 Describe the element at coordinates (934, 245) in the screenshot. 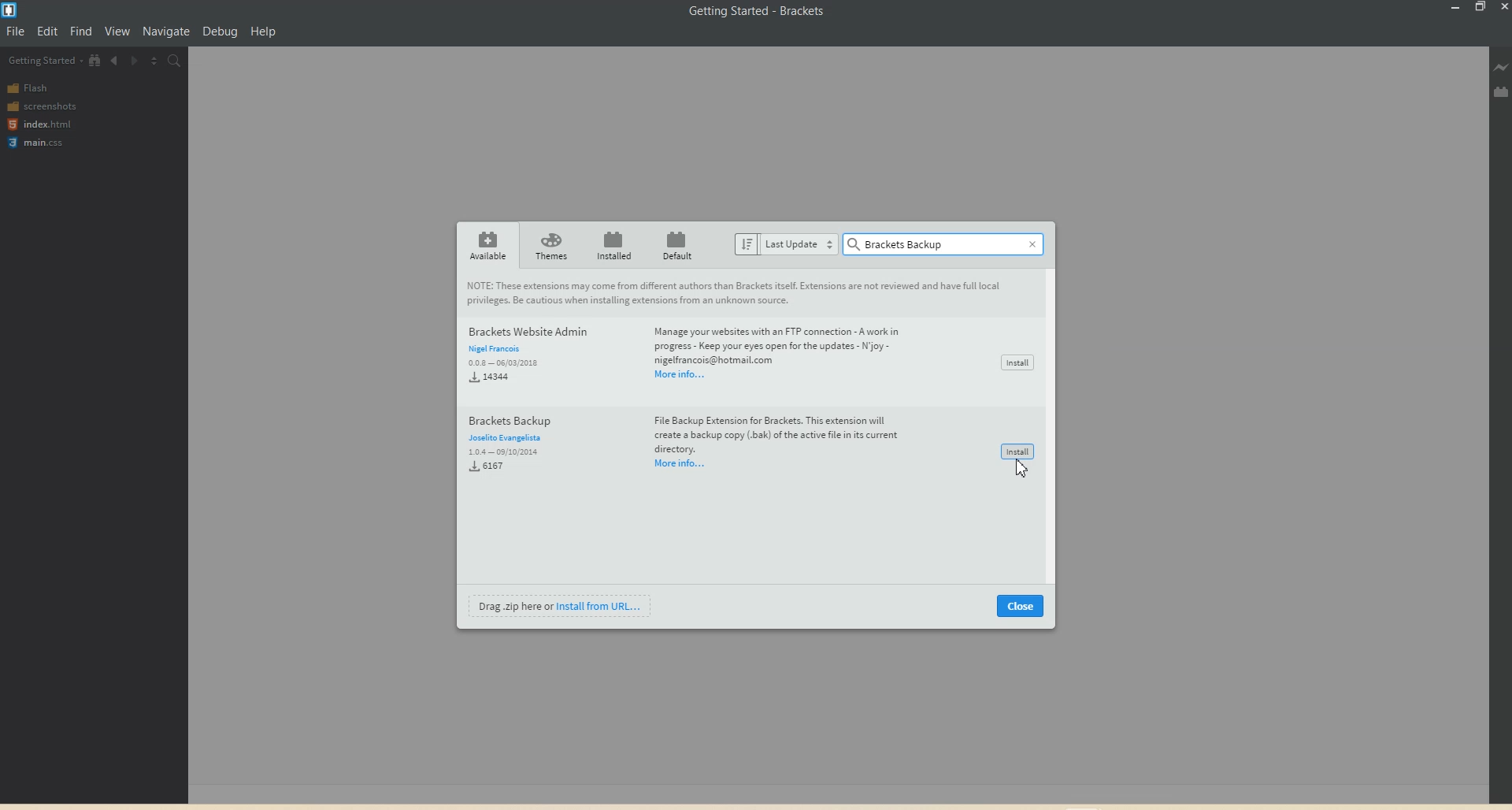

I see `Search bar` at that location.